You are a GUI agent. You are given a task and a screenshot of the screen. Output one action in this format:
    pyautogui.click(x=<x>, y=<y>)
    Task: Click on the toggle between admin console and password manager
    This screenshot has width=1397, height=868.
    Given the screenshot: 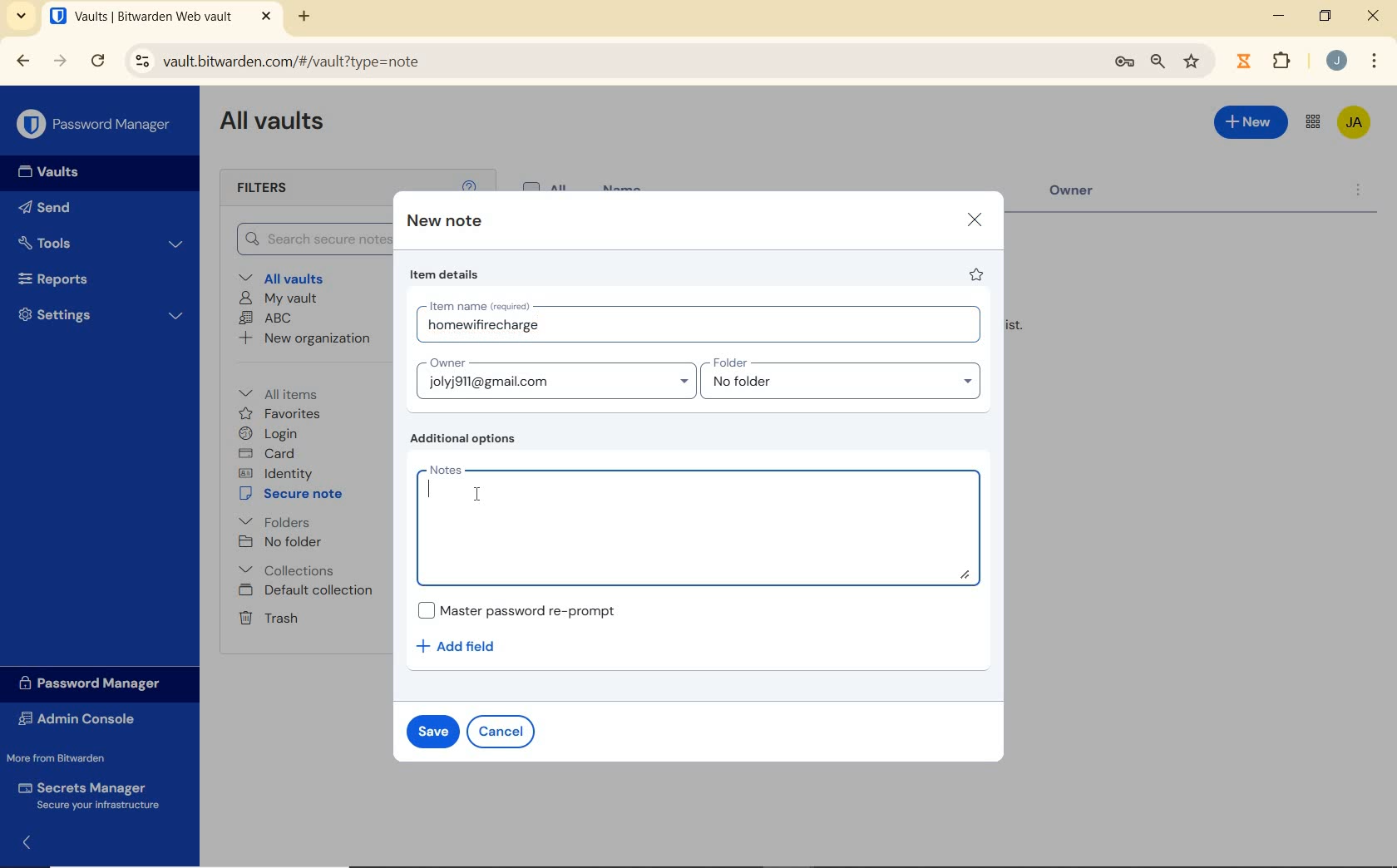 What is the action you would take?
    pyautogui.click(x=1313, y=123)
    